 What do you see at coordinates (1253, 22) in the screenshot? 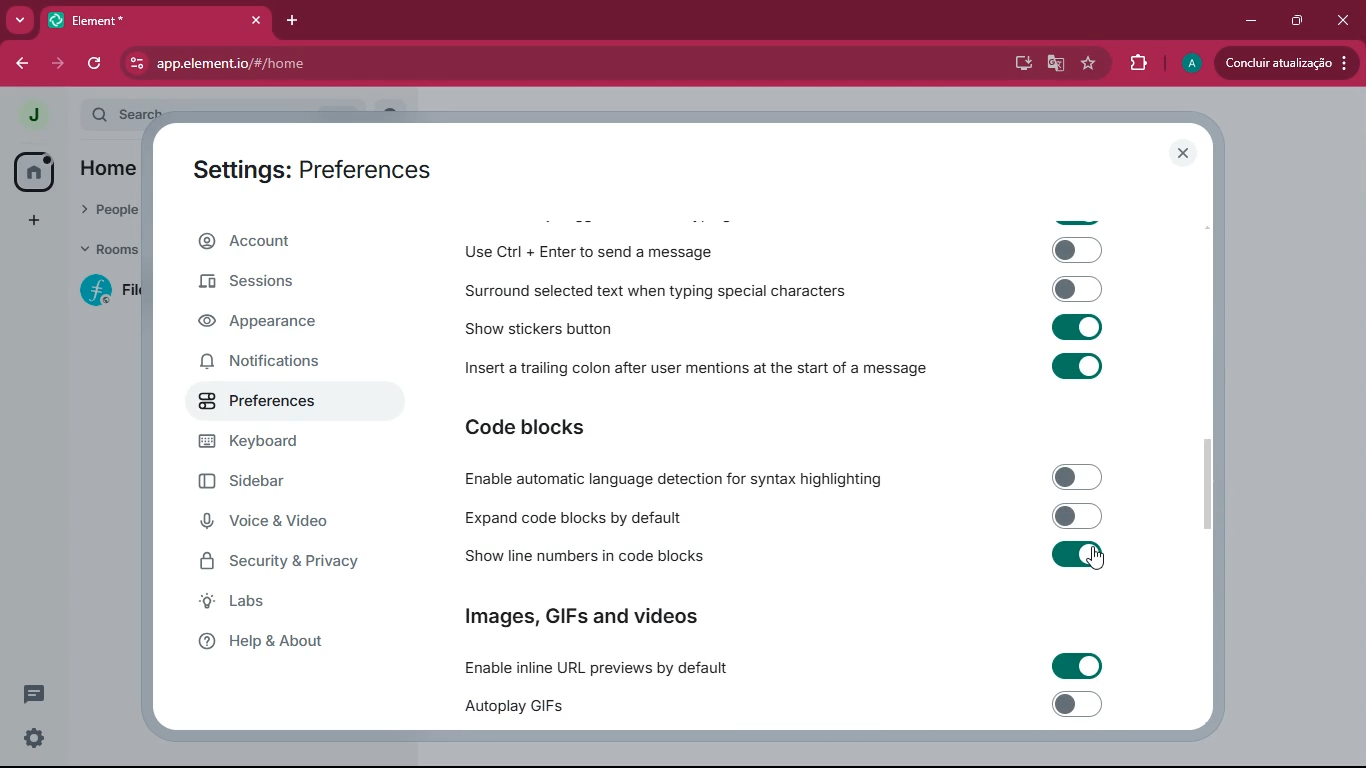
I see `minimize` at bounding box center [1253, 22].